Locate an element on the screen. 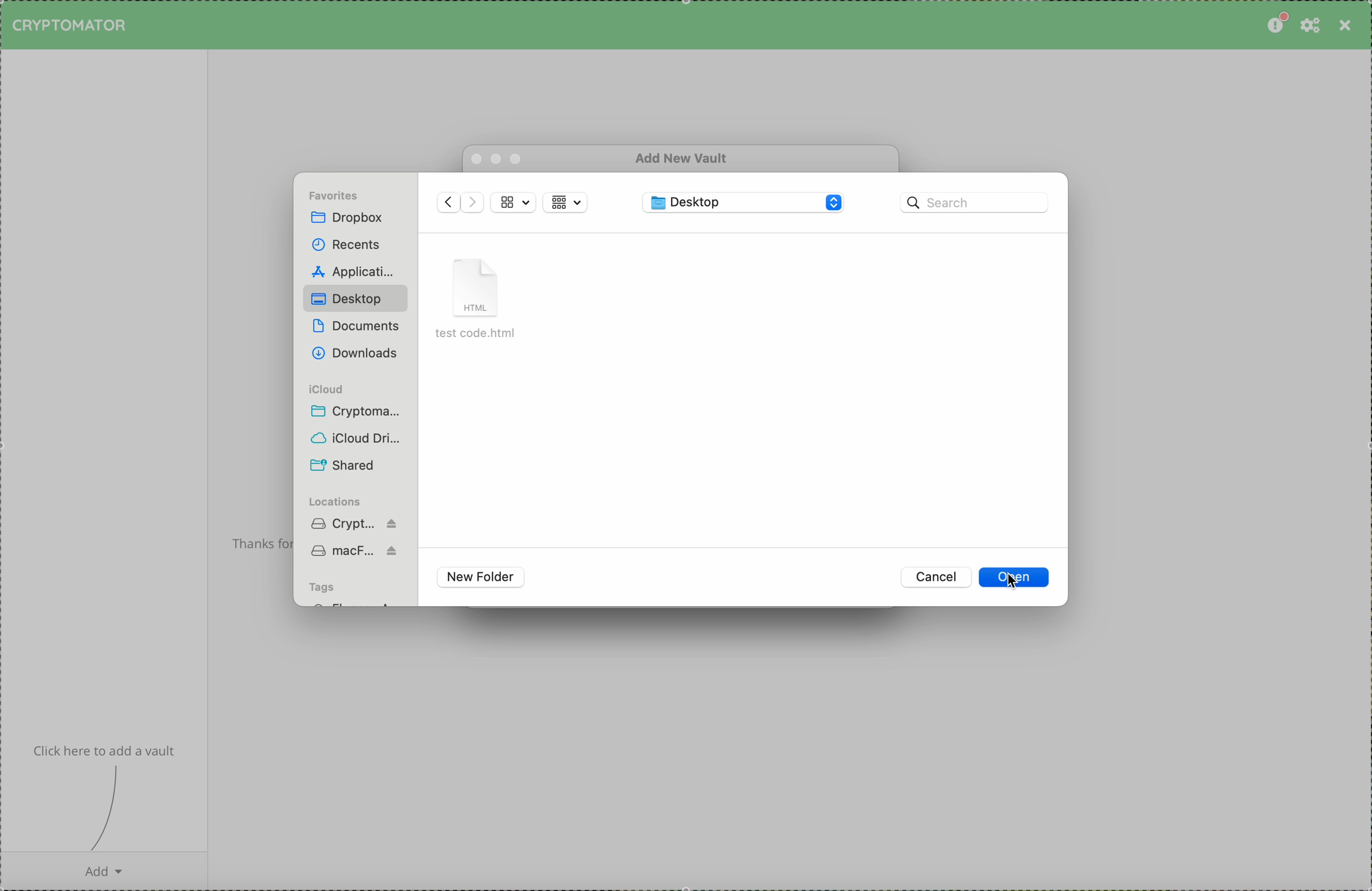 This screenshot has height=891, width=1372. recents is located at coordinates (348, 244).